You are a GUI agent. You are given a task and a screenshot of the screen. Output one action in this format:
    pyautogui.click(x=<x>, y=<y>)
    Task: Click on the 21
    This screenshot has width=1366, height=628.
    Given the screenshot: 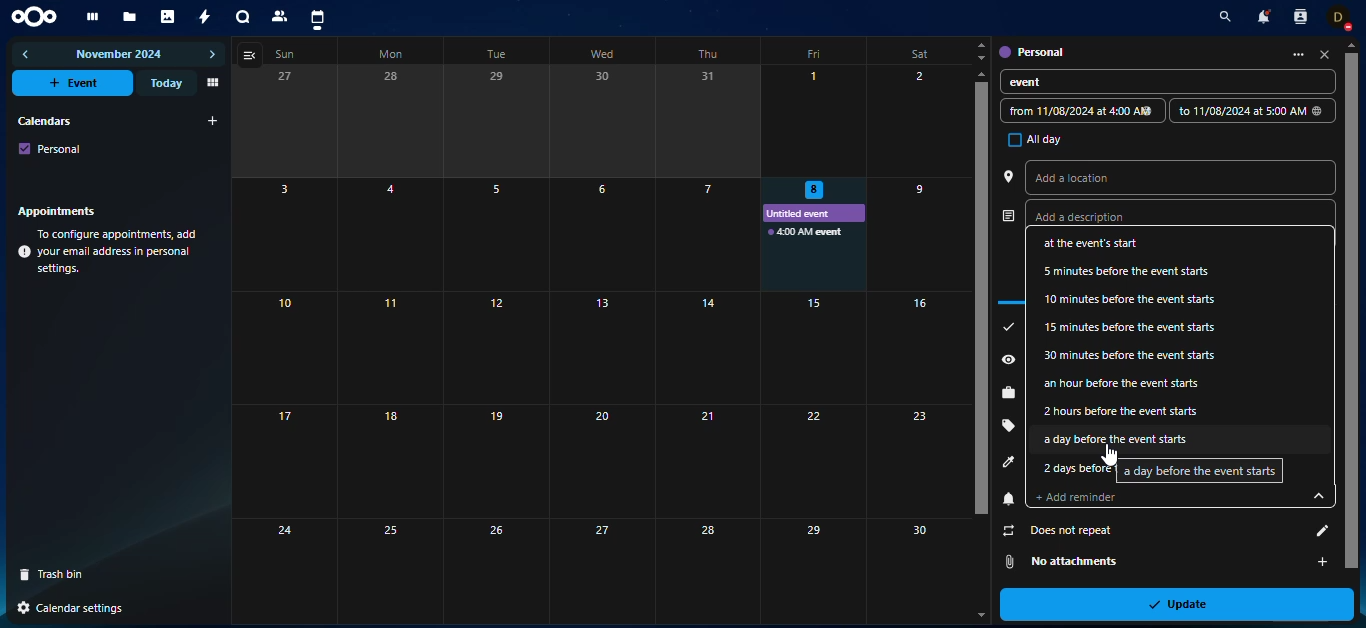 What is the action you would take?
    pyautogui.click(x=707, y=460)
    